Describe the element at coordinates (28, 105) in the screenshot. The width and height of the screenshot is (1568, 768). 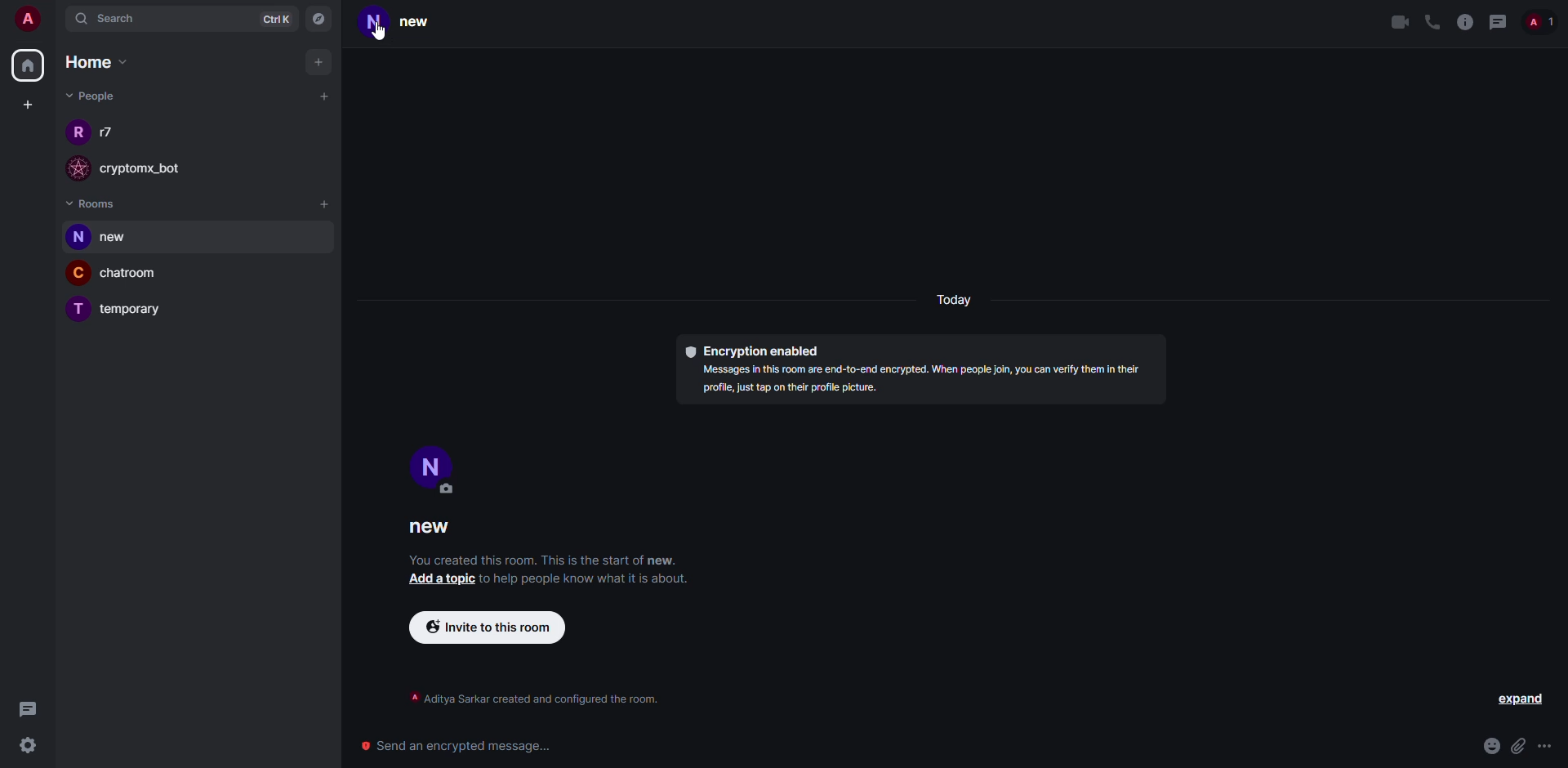
I see `create space` at that location.